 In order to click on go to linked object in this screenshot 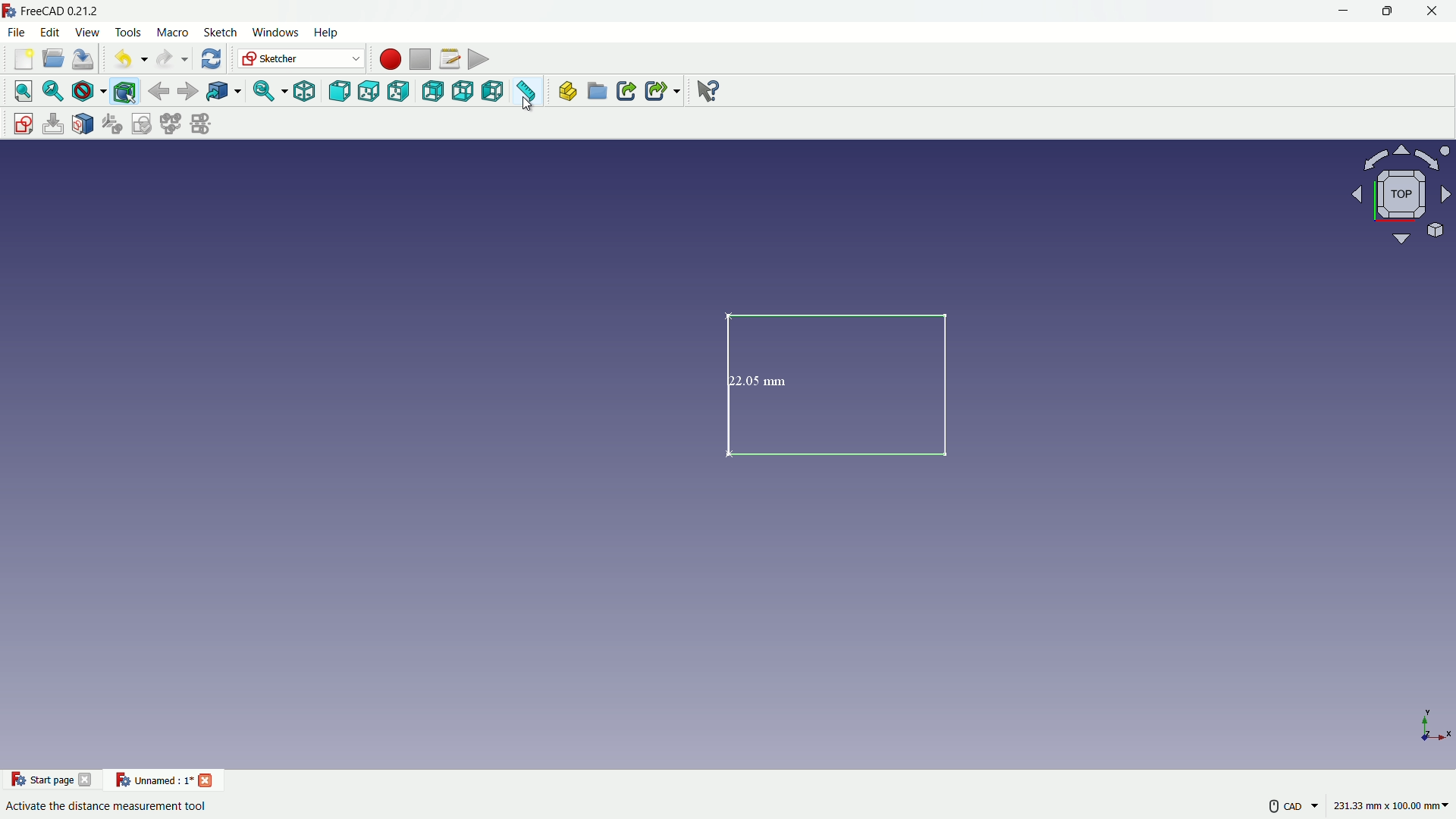, I will do `click(223, 93)`.